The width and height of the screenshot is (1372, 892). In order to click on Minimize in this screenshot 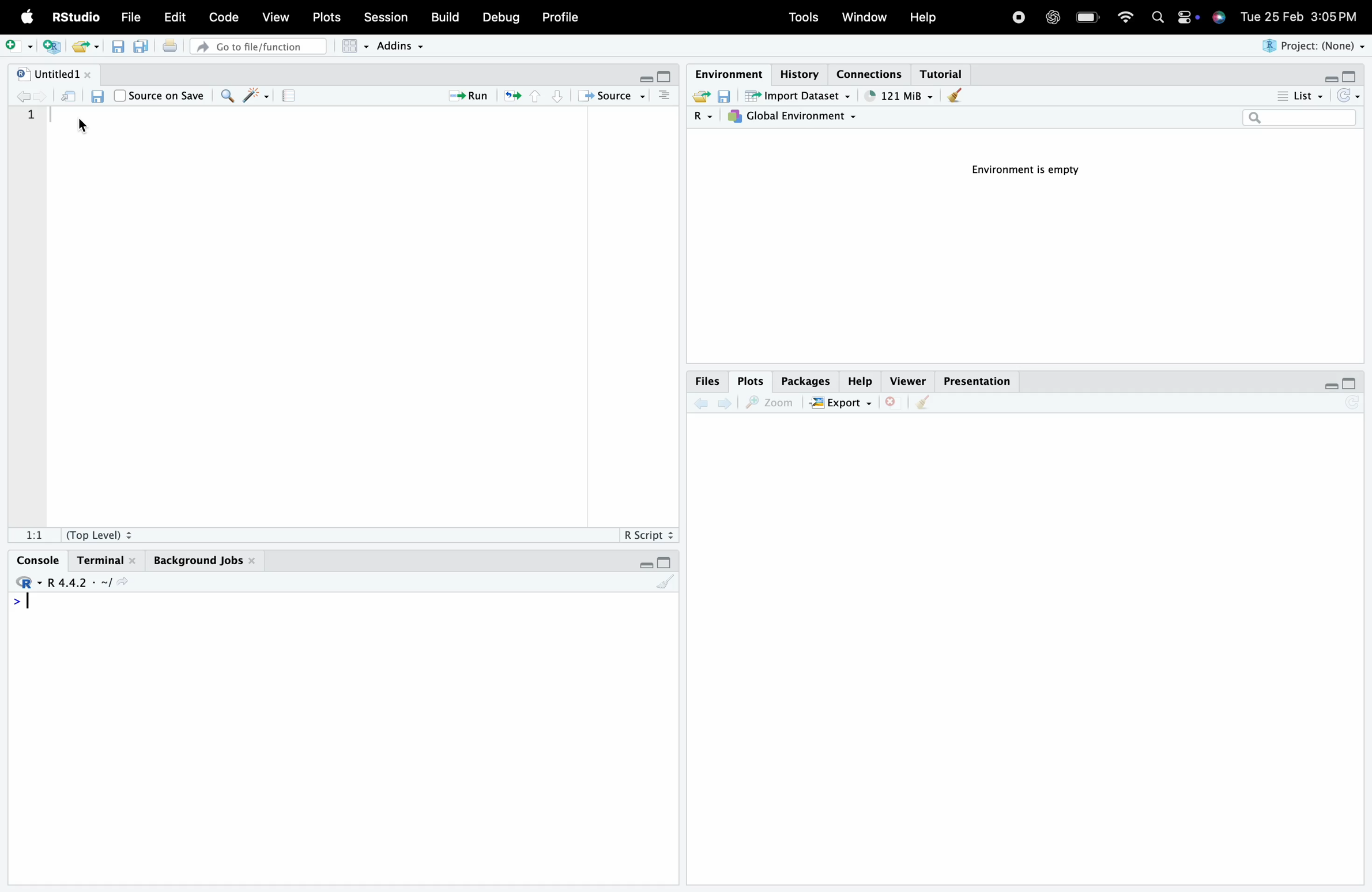, I will do `click(1332, 385)`.